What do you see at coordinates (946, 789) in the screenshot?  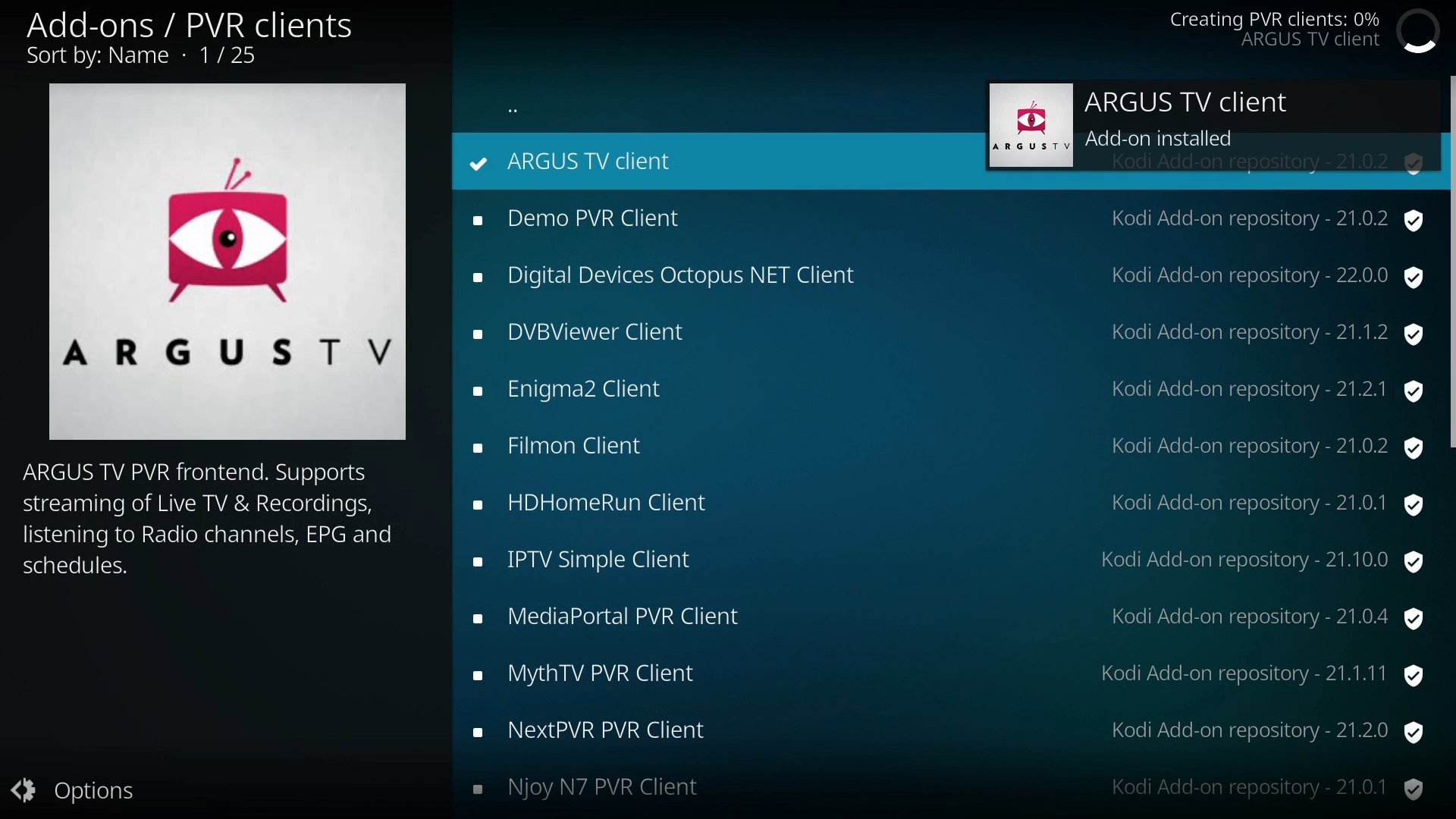 I see `Njoy N7 PVR Client Kodi Add-on repository - 21.0.1` at bounding box center [946, 789].